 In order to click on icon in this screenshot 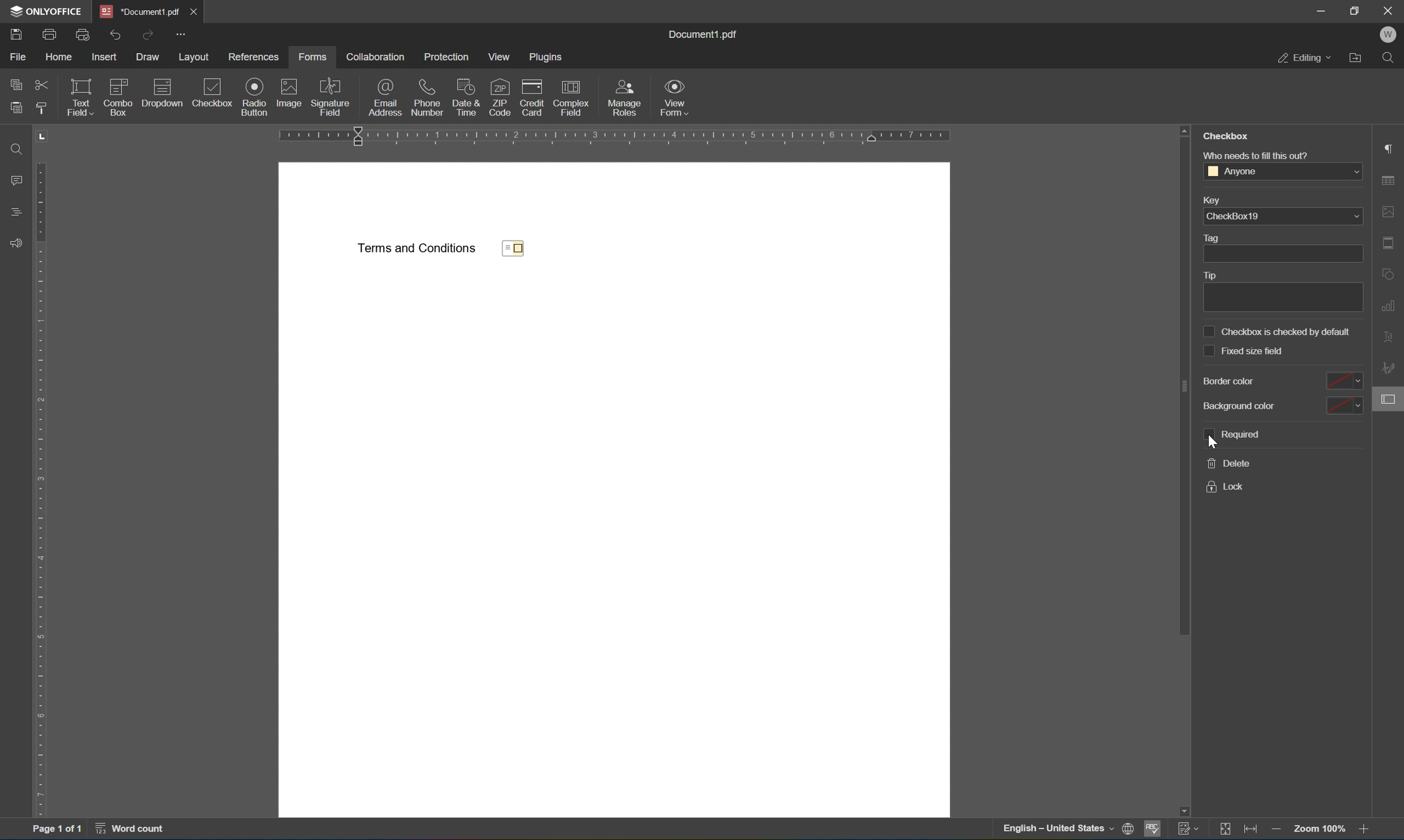, I will do `click(1131, 826)`.